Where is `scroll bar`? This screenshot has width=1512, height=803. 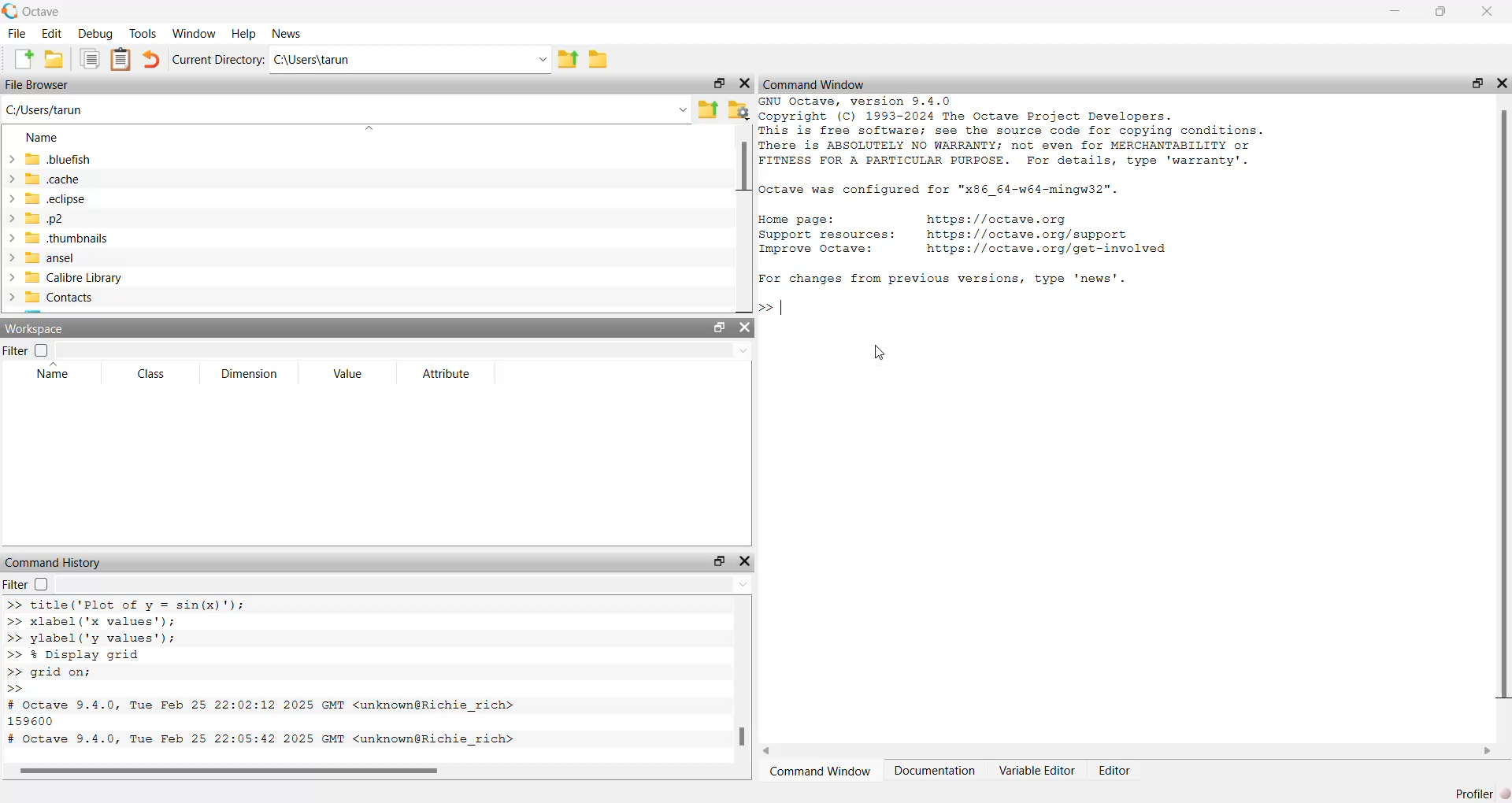 scroll bar is located at coordinates (743, 735).